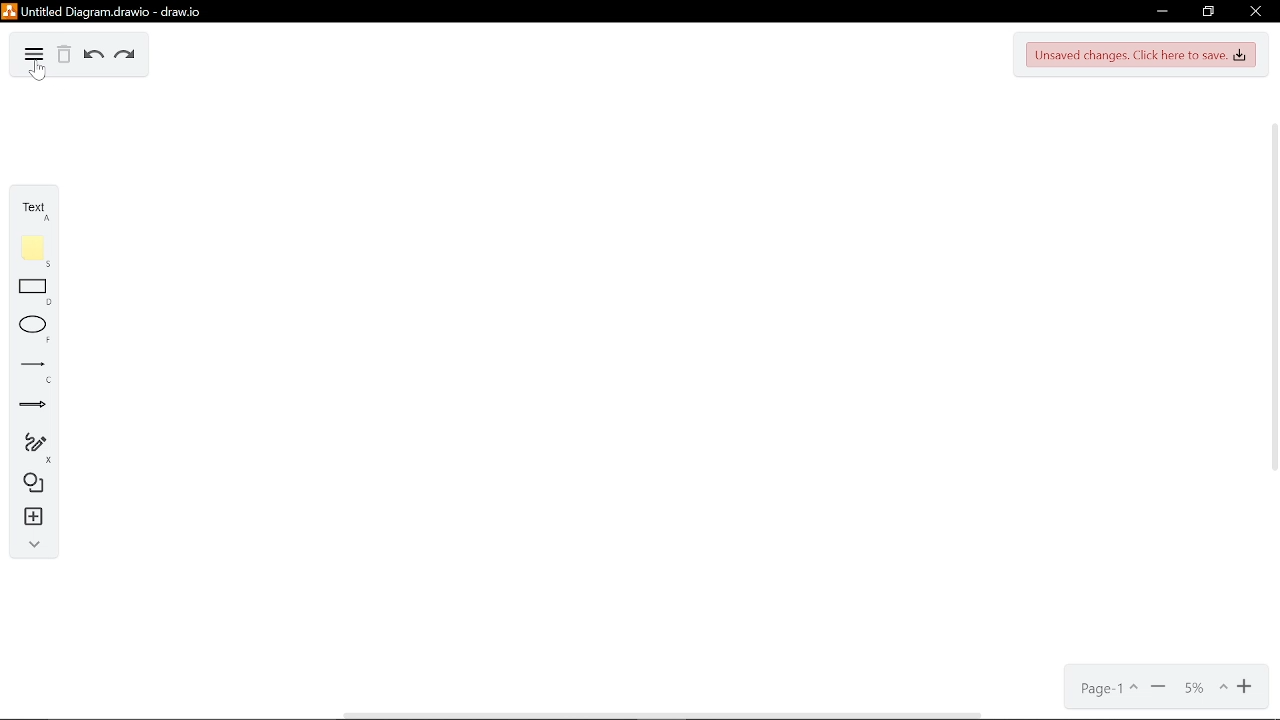  I want to click on Zoom in, so click(1246, 689).